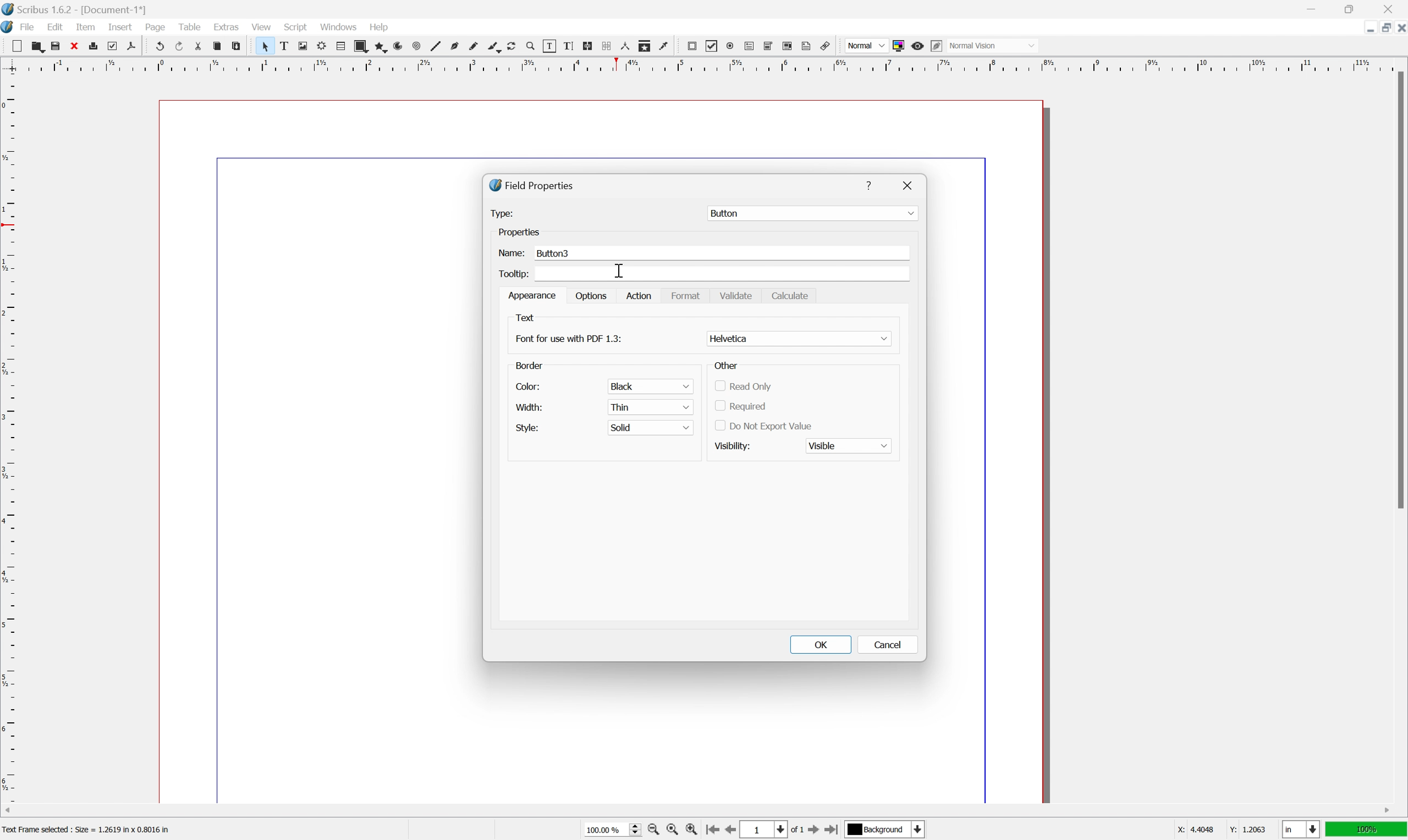  Describe the element at coordinates (665, 46) in the screenshot. I see `eye dropper` at that location.